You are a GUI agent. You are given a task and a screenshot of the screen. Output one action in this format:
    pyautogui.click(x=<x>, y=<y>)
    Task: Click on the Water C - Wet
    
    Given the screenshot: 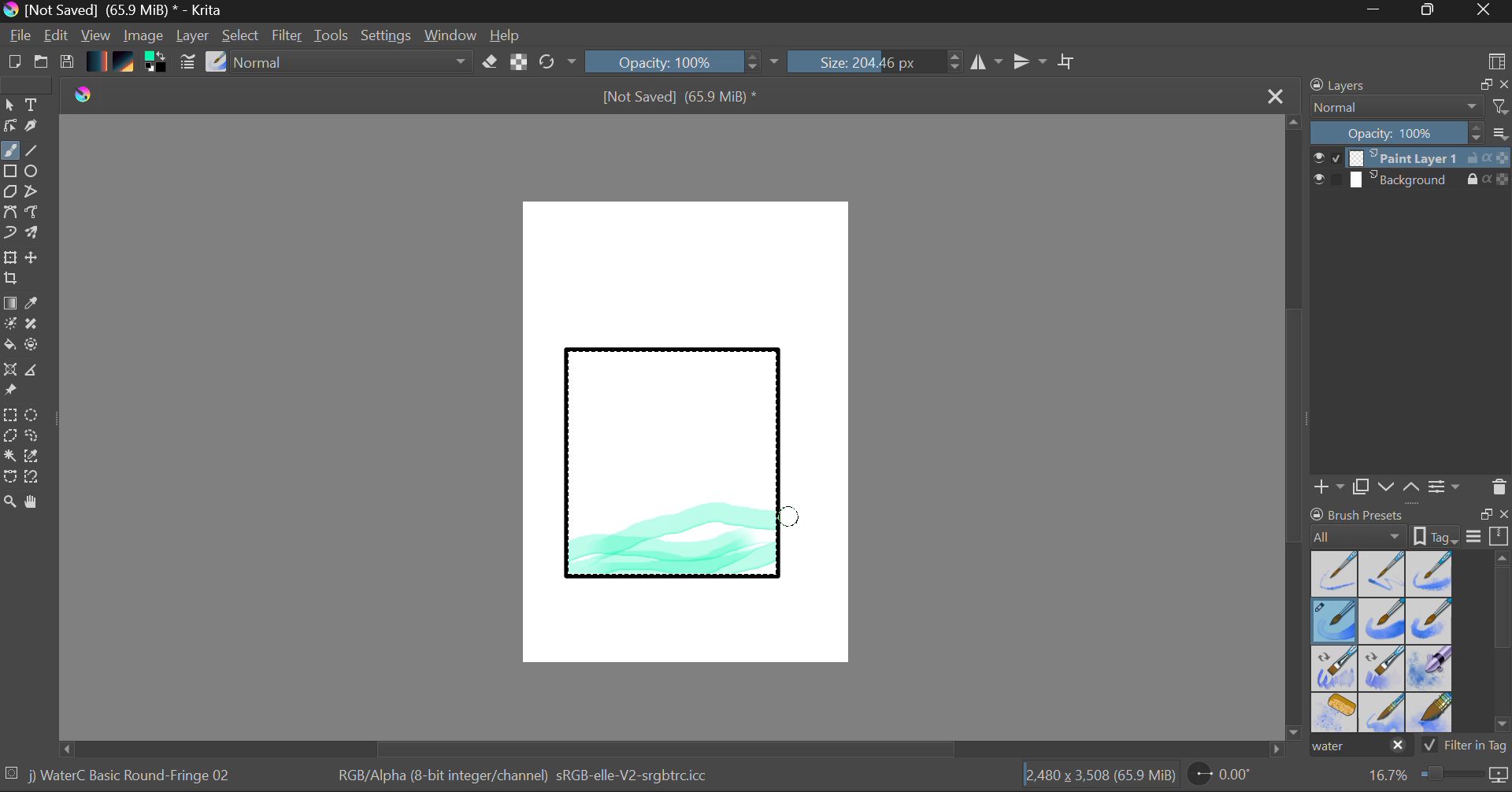 What is the action you would take?
    pyautogui.click(x=1384, y=574)
    